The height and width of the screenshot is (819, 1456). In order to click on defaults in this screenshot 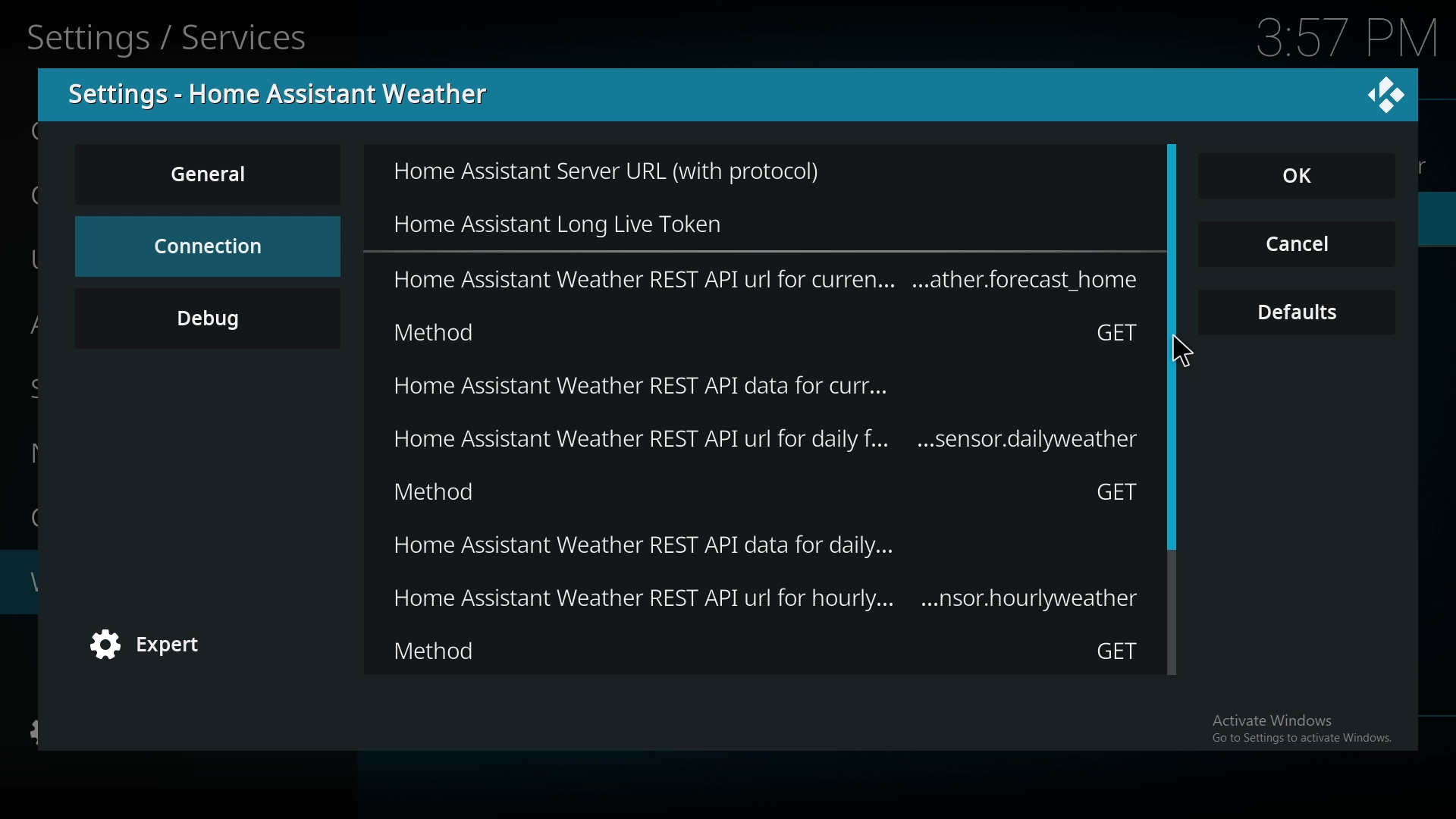, I will do `click(1298, 313)`.